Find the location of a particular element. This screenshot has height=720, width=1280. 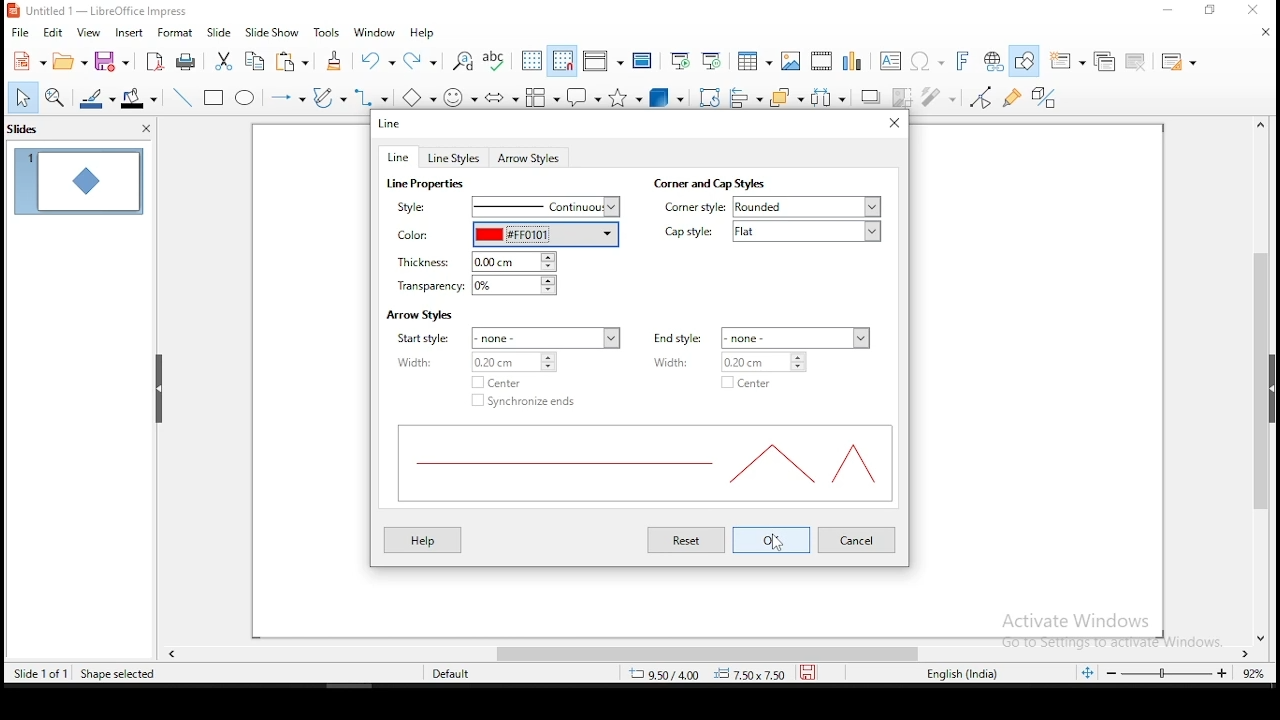

master slide is located at coordinates (642, 61).